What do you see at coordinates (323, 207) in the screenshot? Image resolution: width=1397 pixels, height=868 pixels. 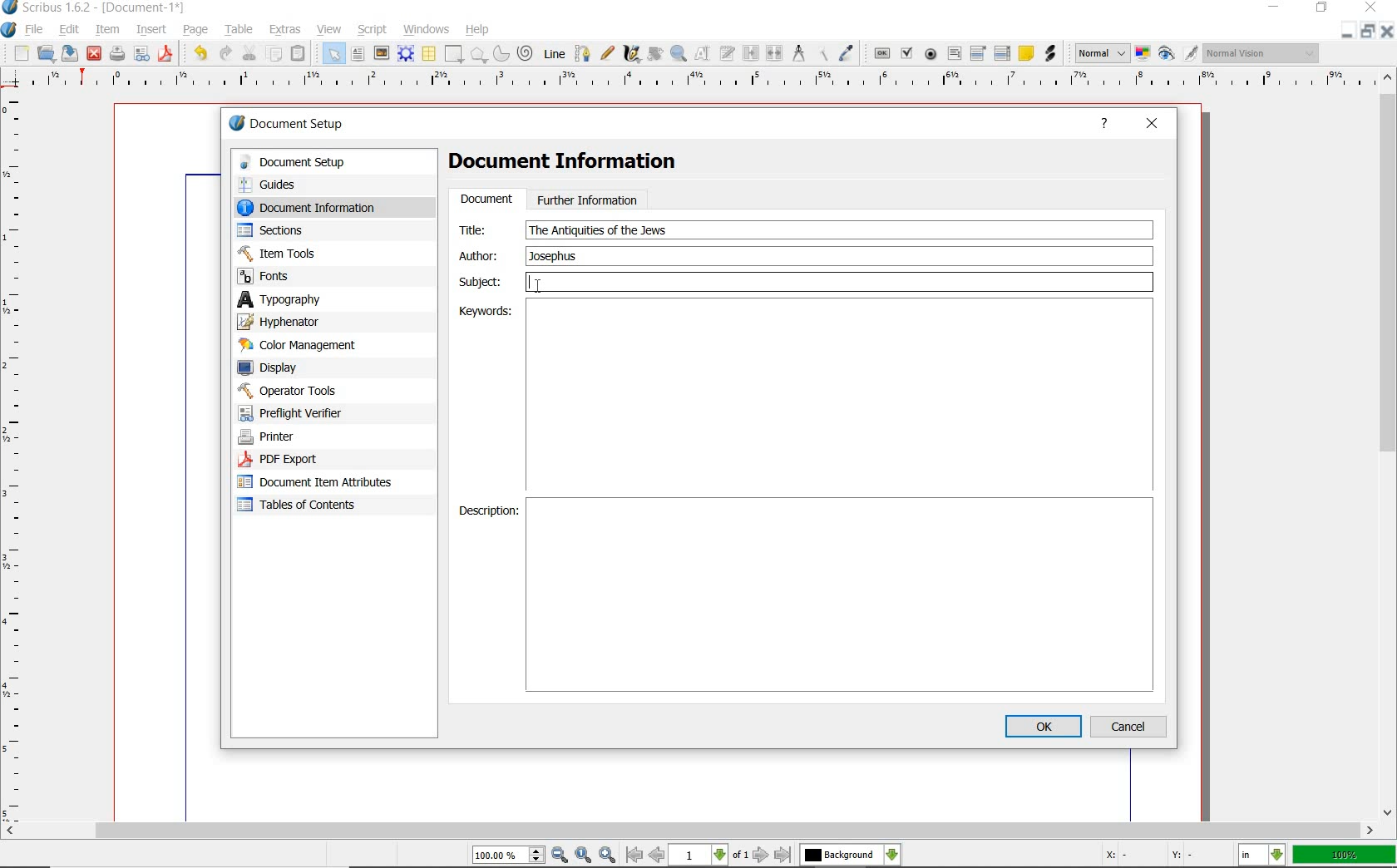 I see `document information` at bounding box center [323, 207].